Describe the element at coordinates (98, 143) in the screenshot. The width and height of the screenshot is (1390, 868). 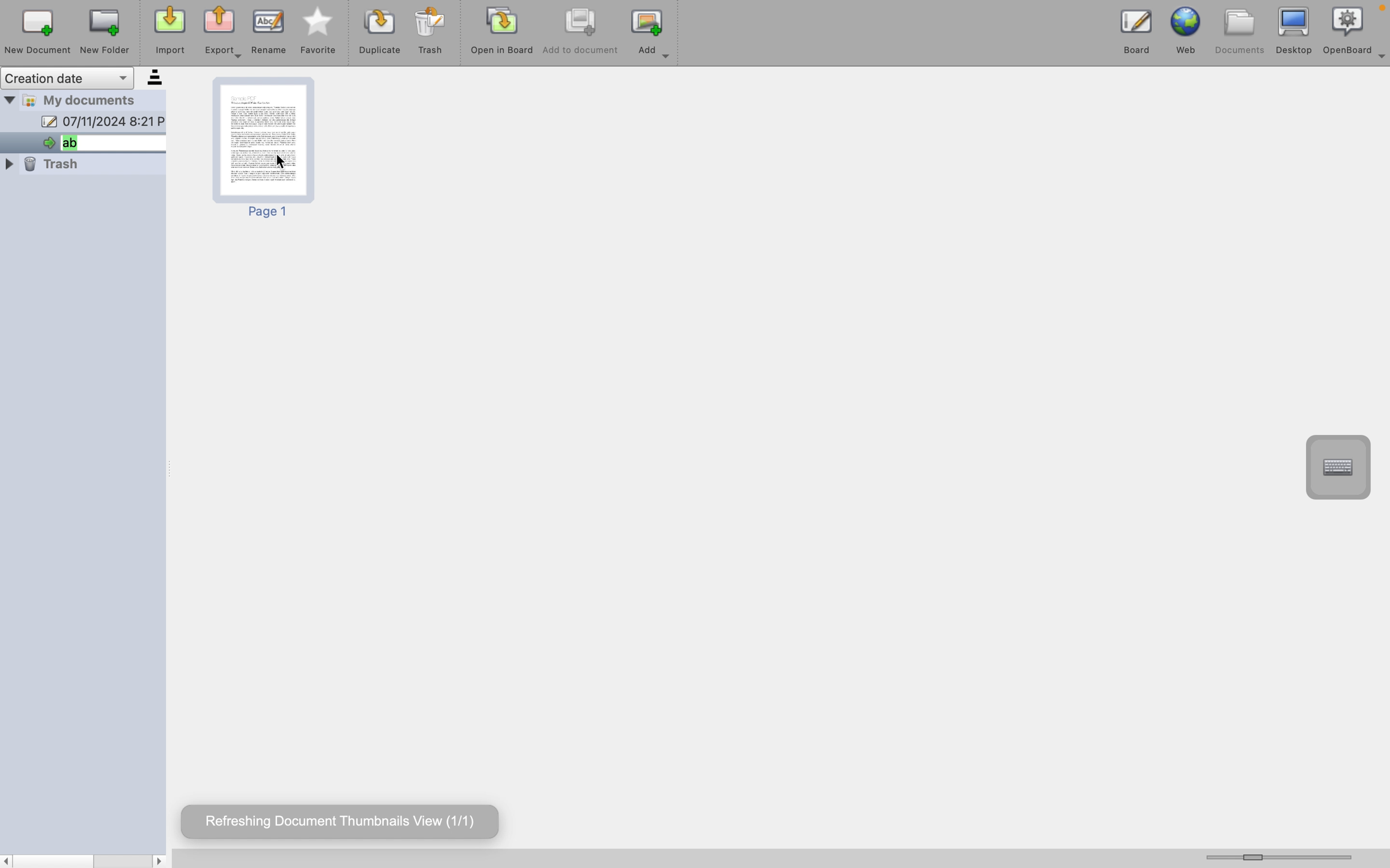
I see `open document` at that location.